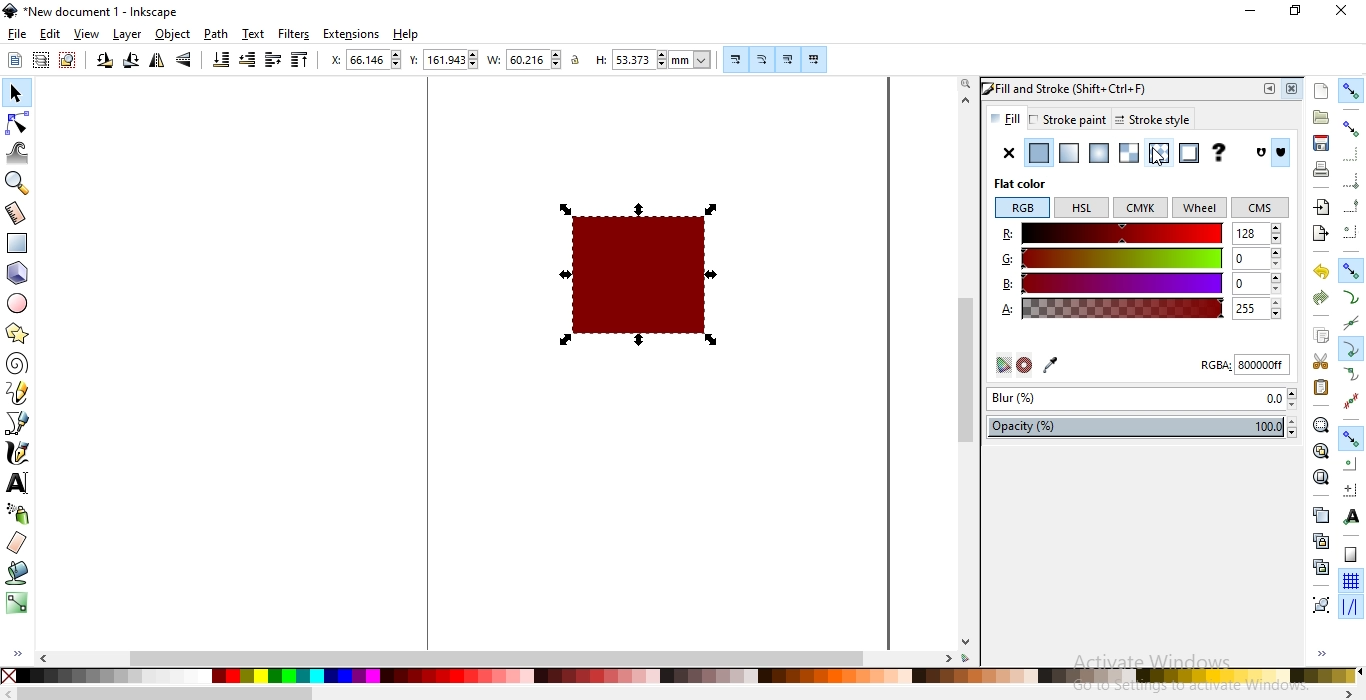 The width and height of the screenshot is (1366, 700). I want to click on undo an action, so click(1322, 271).